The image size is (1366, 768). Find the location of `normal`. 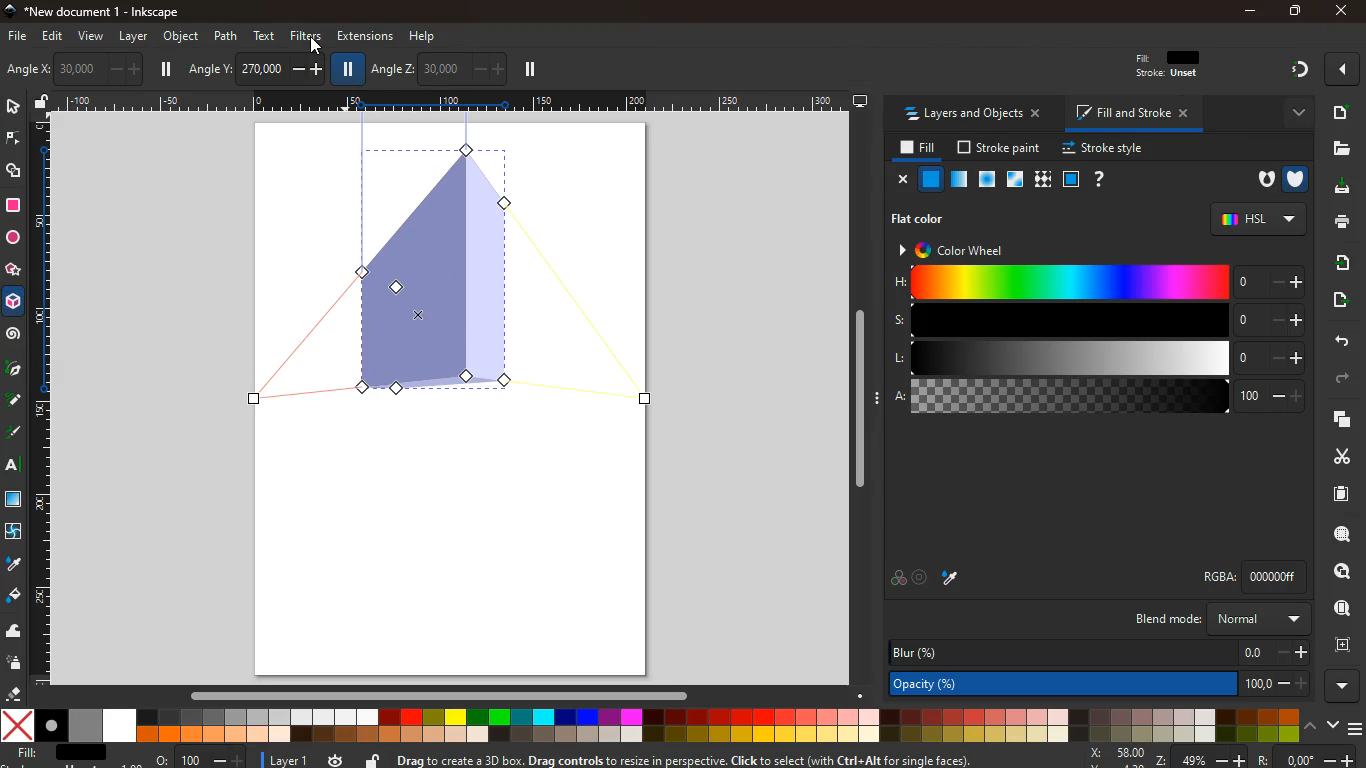

normal is located at coordinates (932, 180).